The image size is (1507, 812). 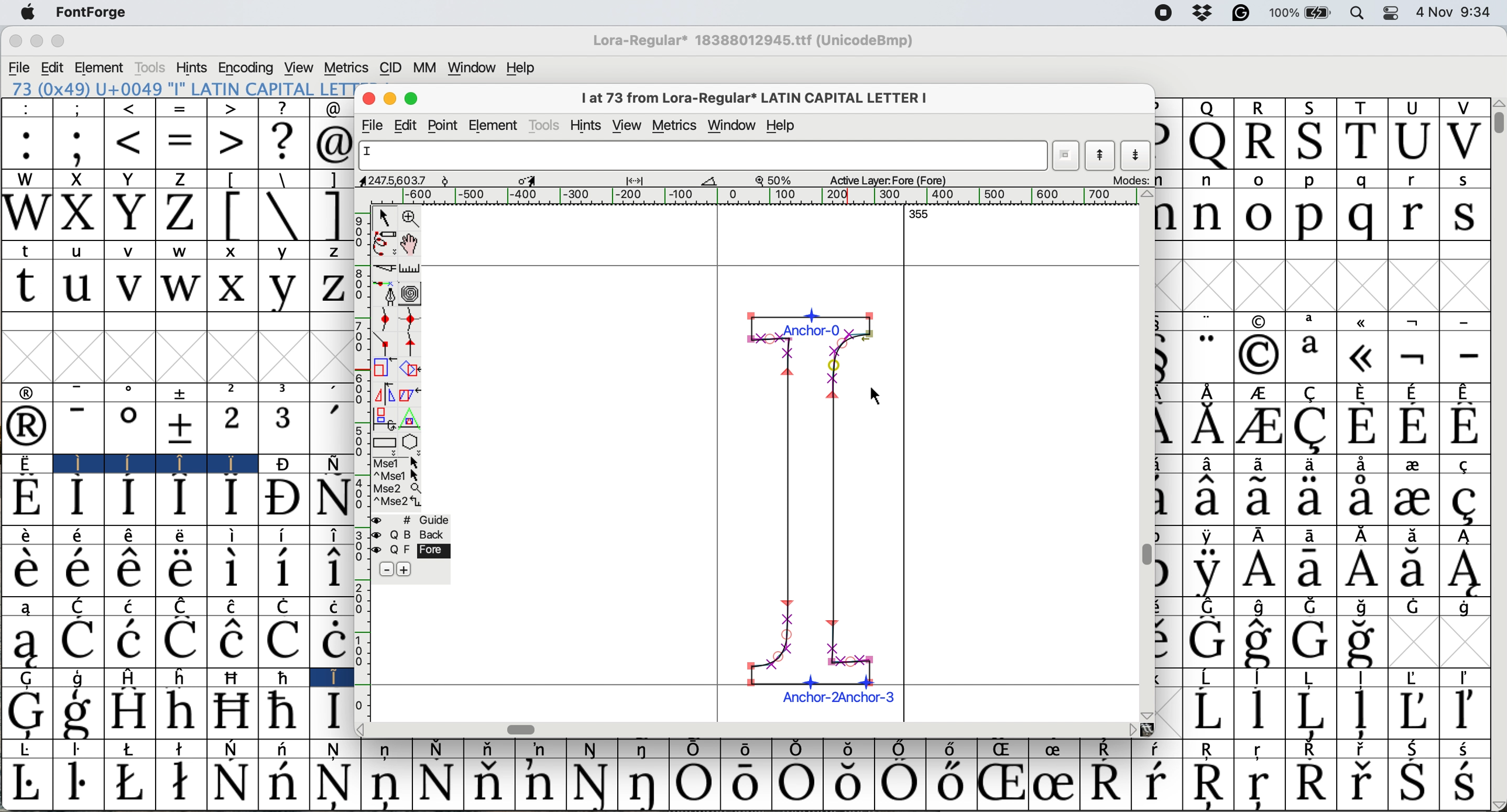 I want to click on Symbol, so click(x=181, y=499).